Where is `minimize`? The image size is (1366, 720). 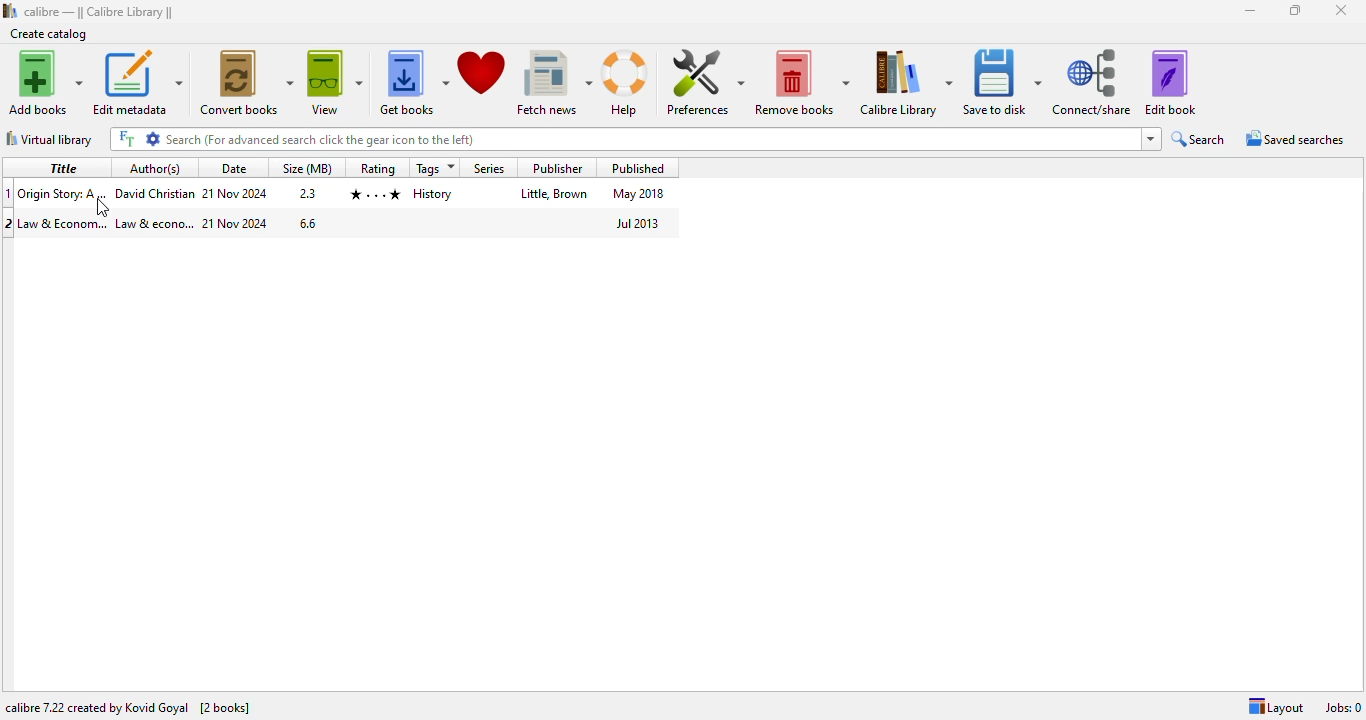
minimize is located at coordinates (1249, 11).